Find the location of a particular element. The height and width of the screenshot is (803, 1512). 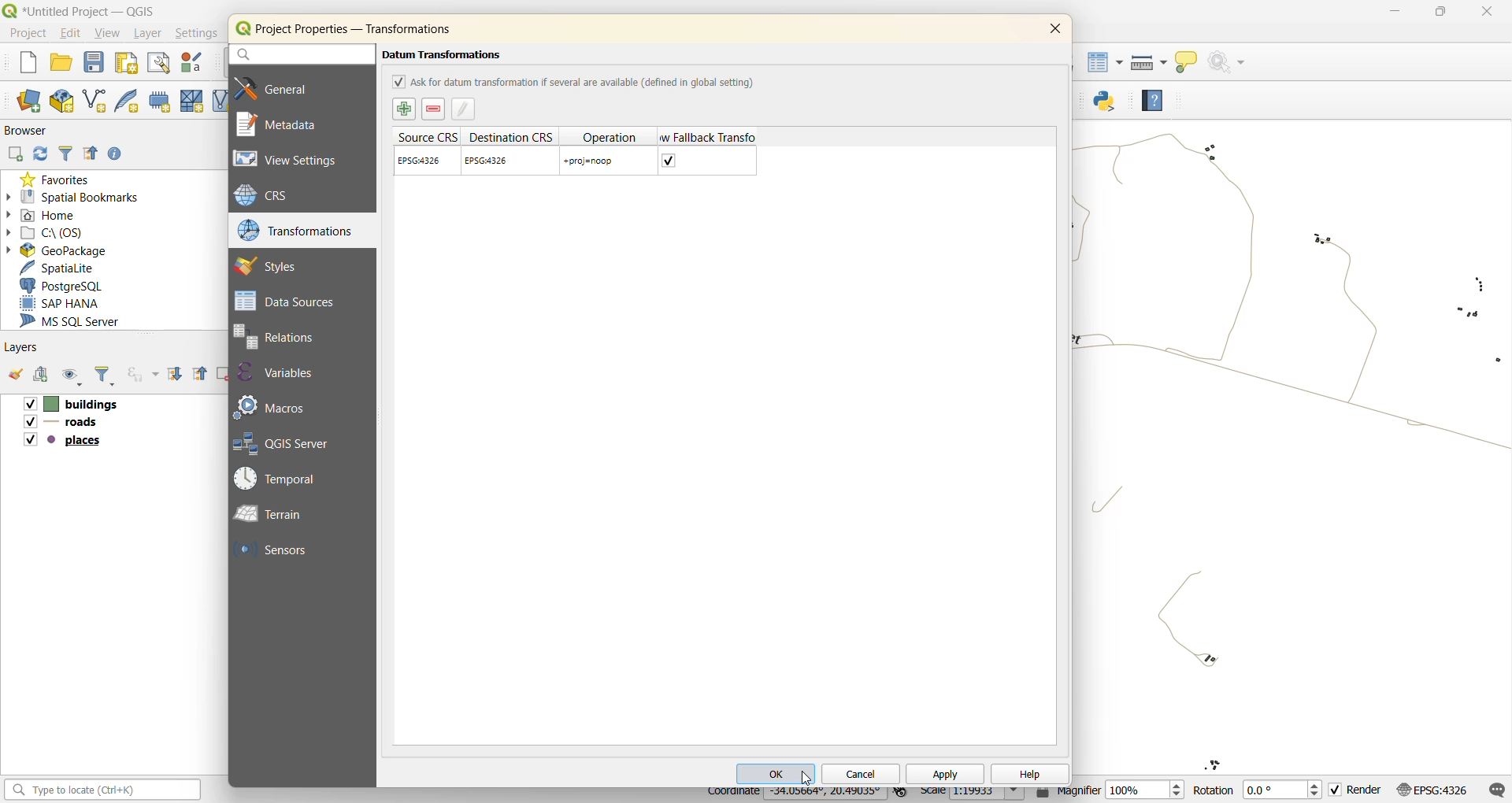

edit is located at coordinates (463, 110).